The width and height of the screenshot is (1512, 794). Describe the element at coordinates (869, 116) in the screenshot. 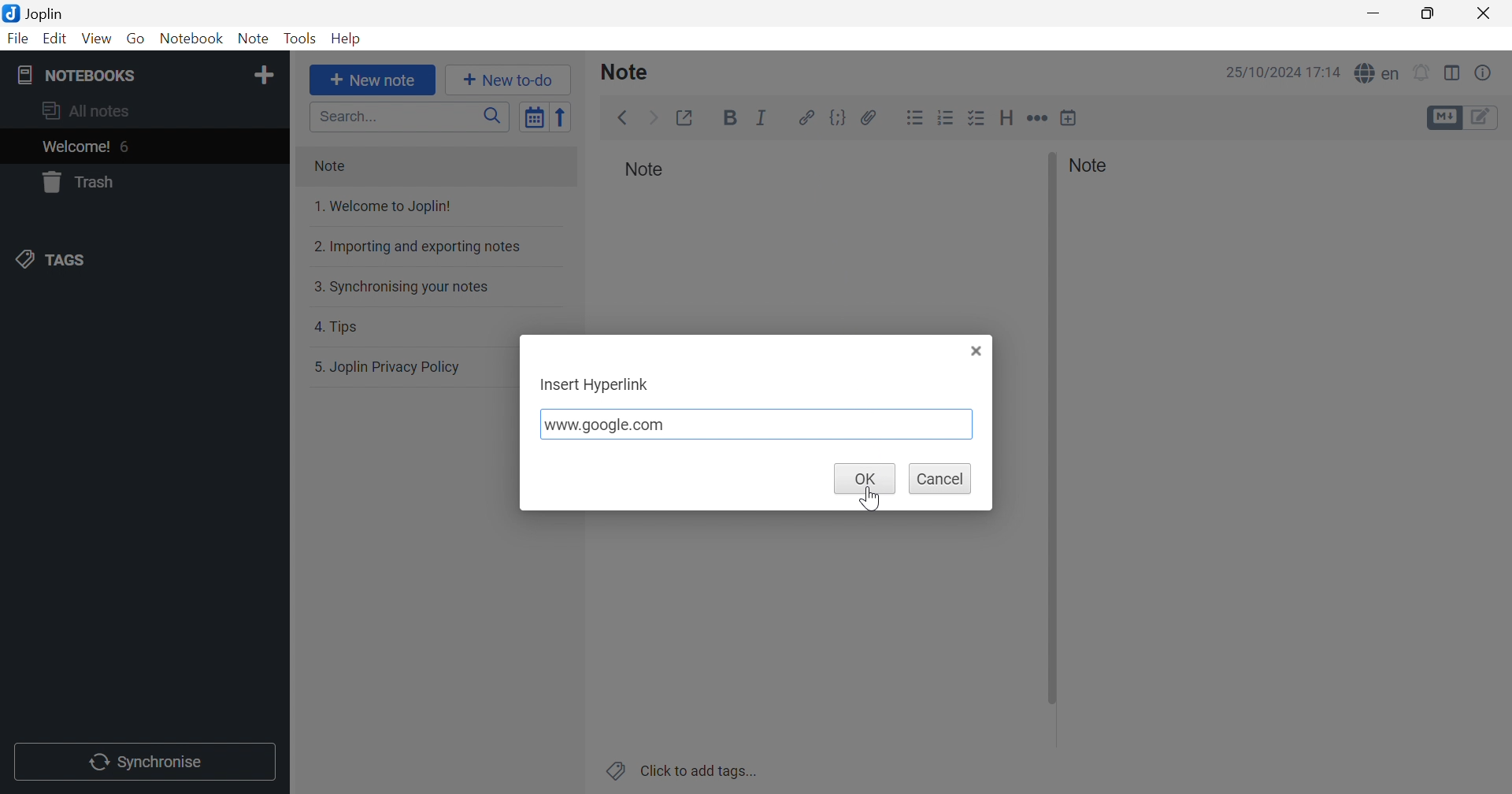

I see `Attach file` at that location.